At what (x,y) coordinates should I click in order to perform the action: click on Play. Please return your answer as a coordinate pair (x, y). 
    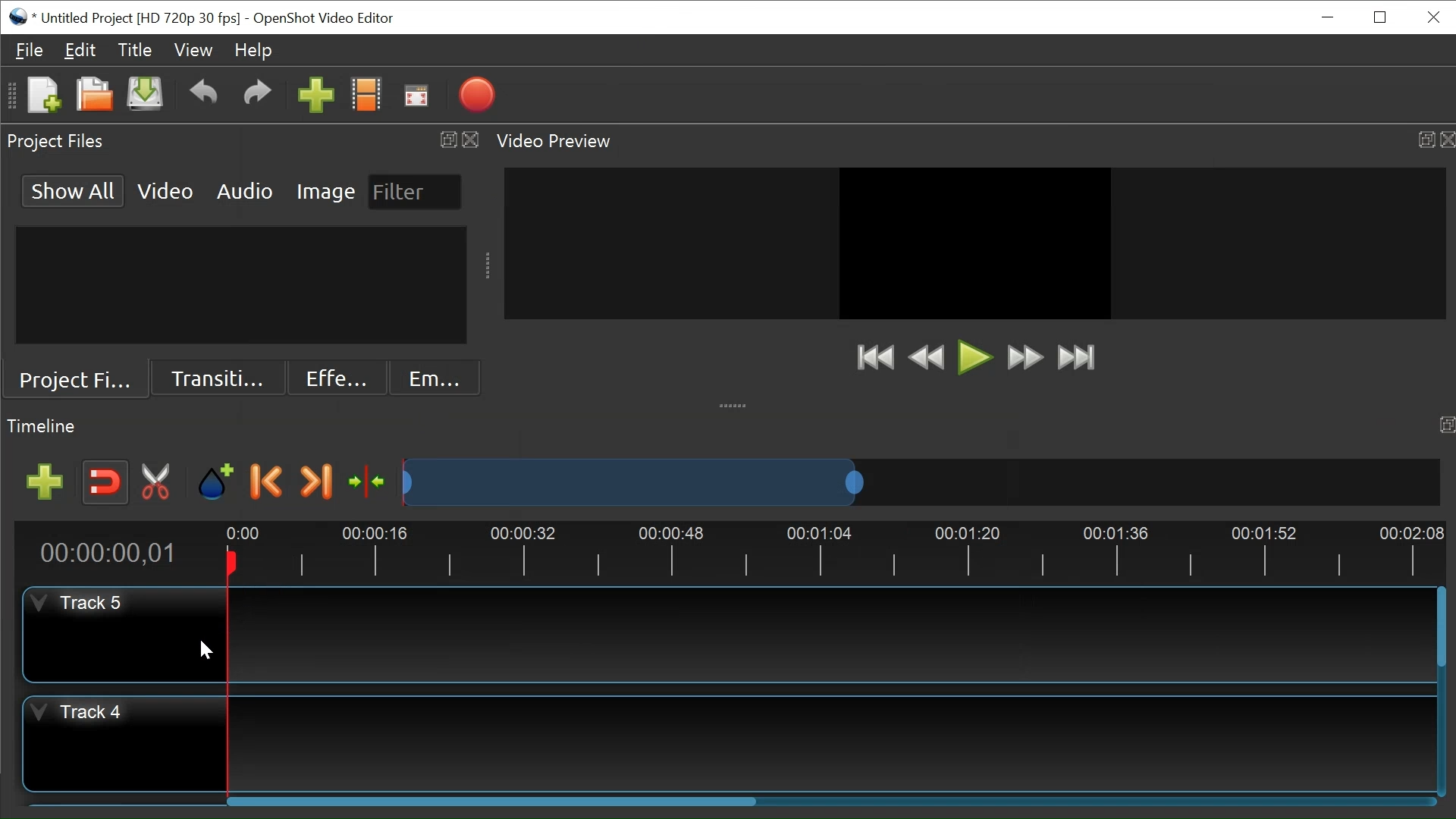
    Looking at the image, I should click on (973, 359).